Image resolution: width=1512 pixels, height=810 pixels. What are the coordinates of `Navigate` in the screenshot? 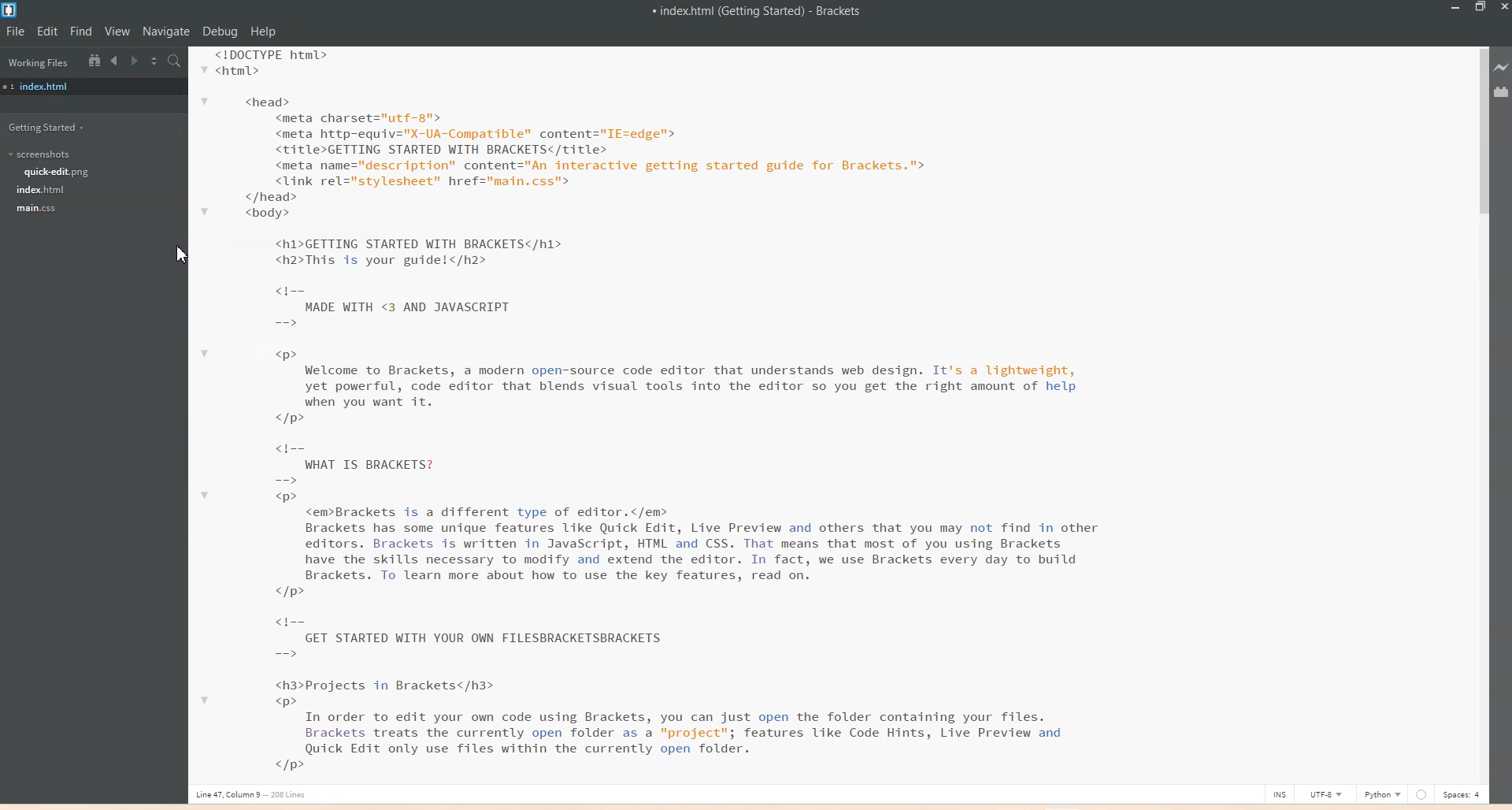 It's located at (168, 32).